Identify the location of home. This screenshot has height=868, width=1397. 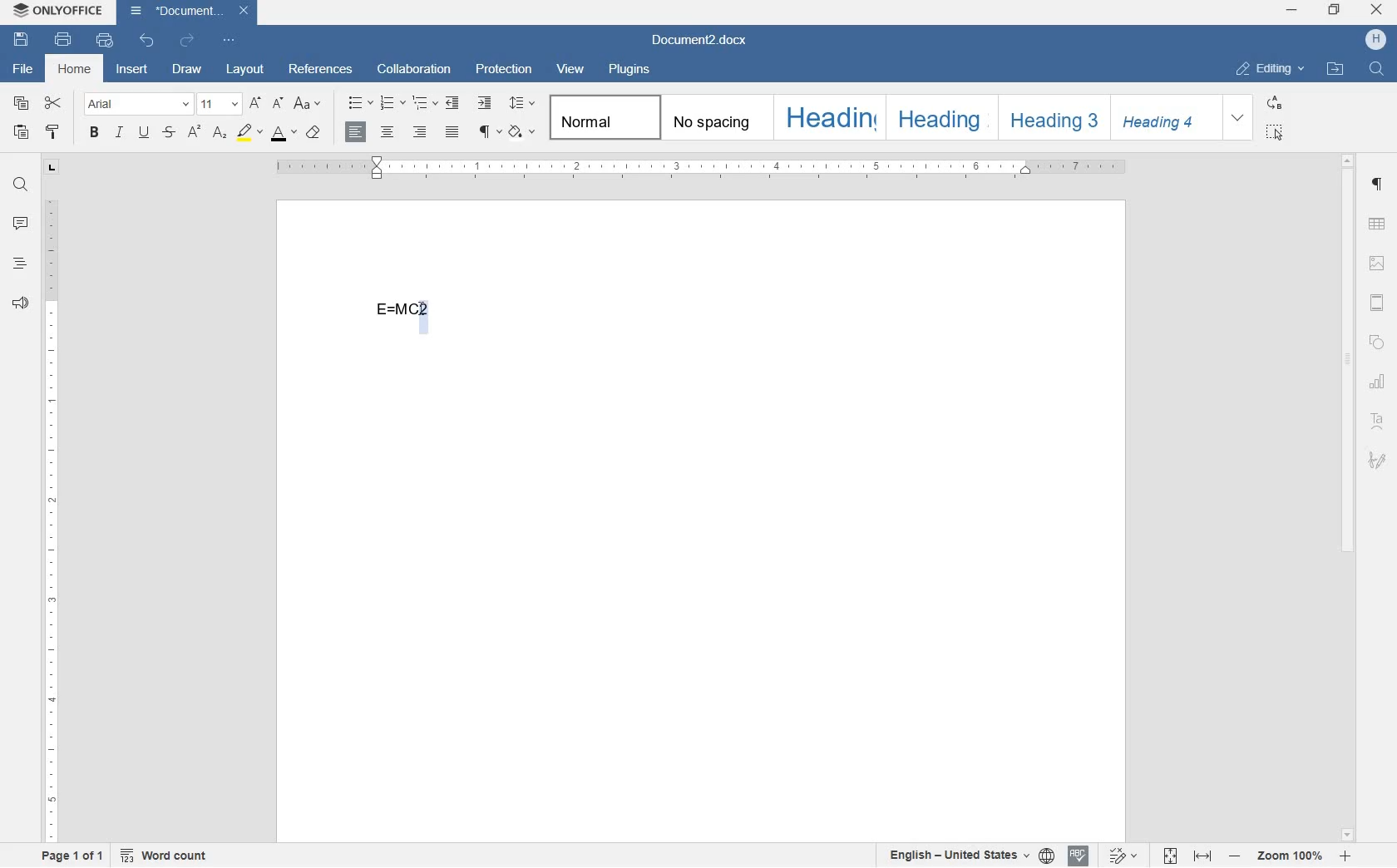
(73, 71).